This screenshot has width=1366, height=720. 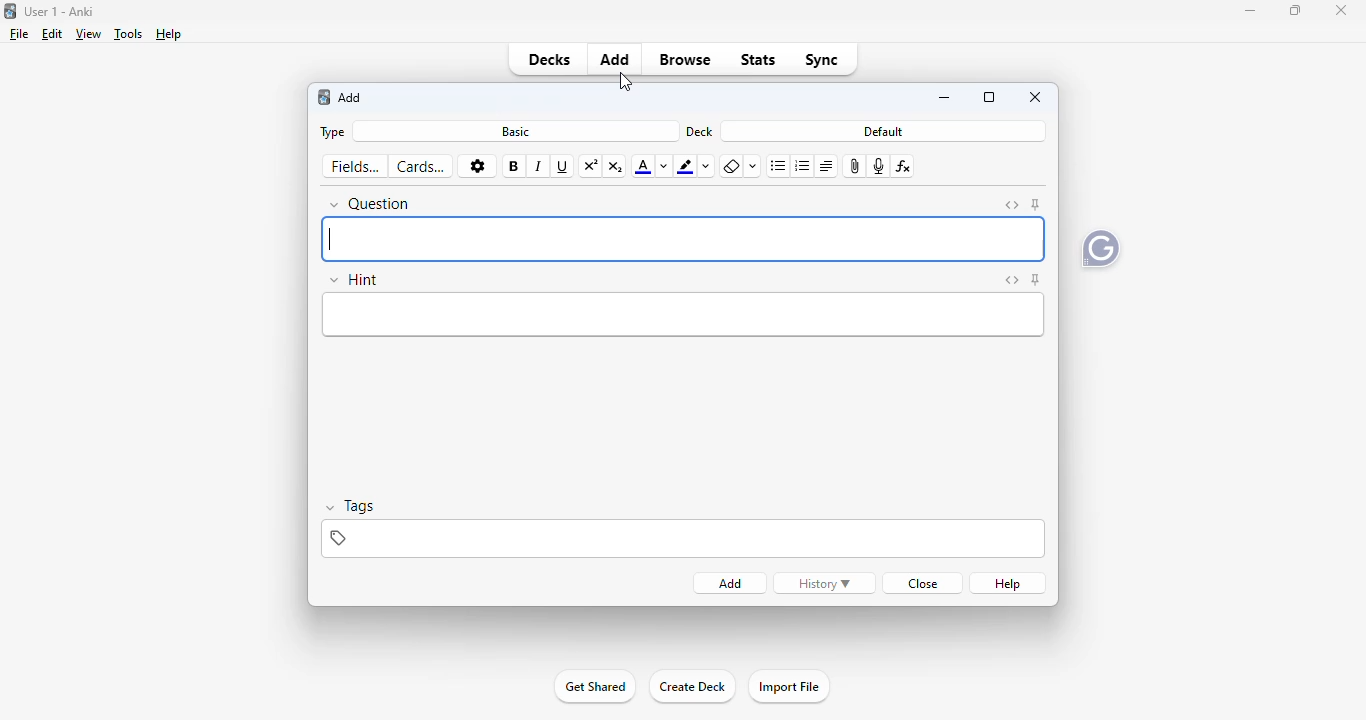 What do you see at coordinates (1341, 10) in the screenshot?
I see `close` at bounding box center [1341, 10].